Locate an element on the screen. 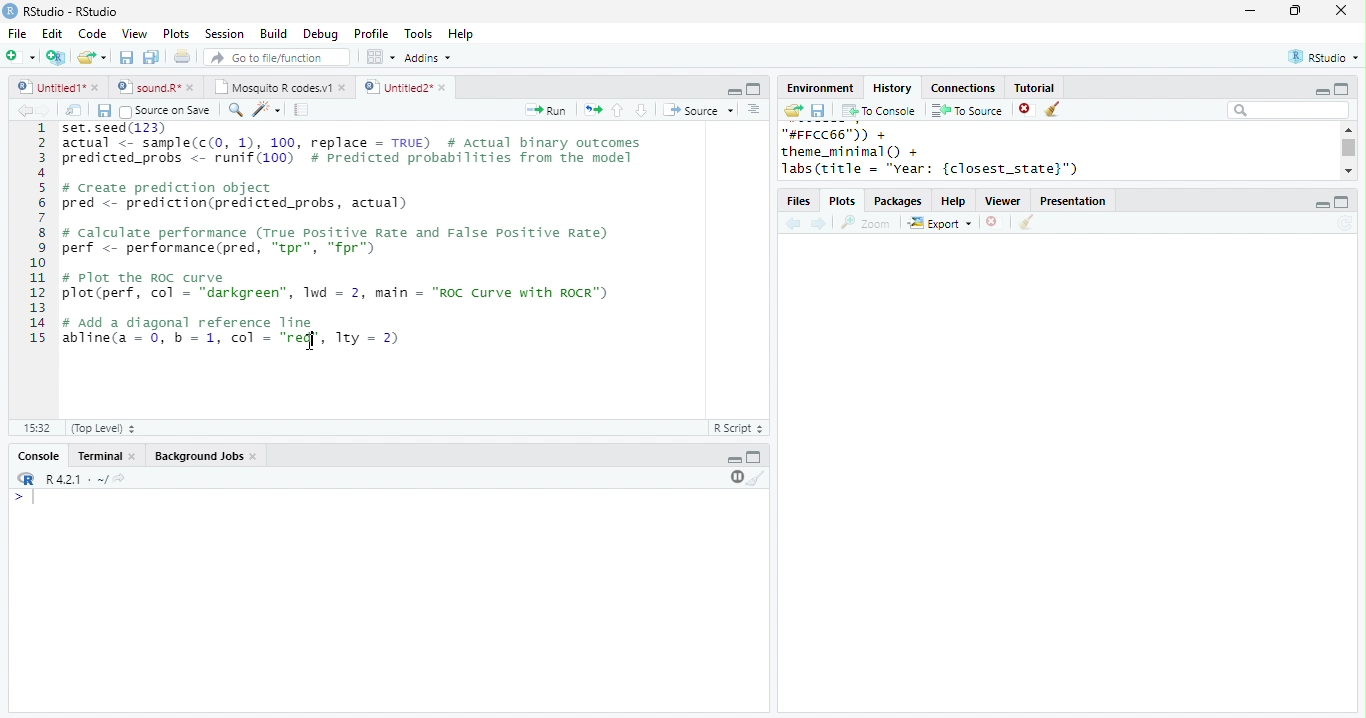  run is located at coordinates (545, 110).